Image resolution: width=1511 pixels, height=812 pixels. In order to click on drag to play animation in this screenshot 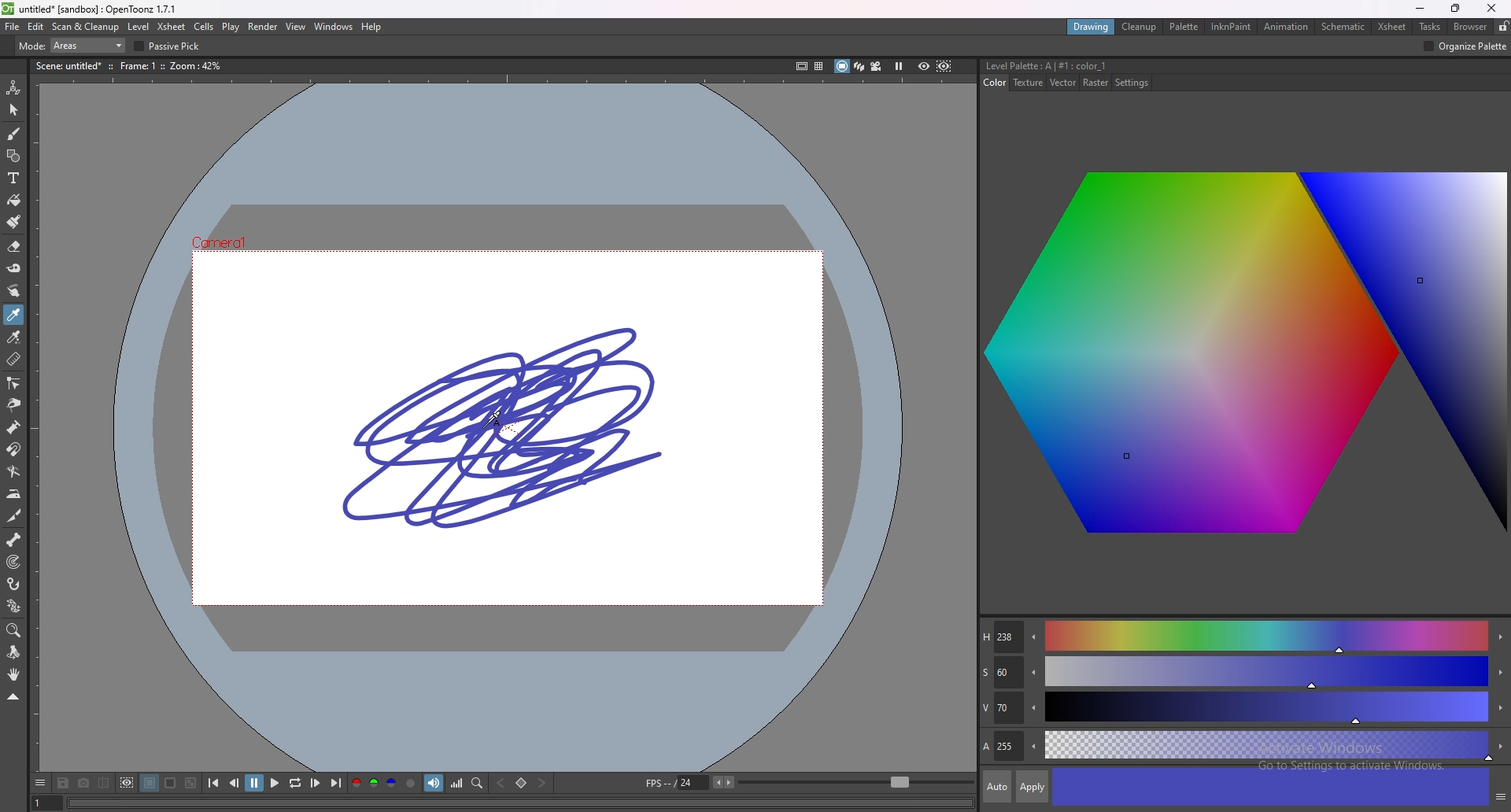, I will do `click(519, 802)`.